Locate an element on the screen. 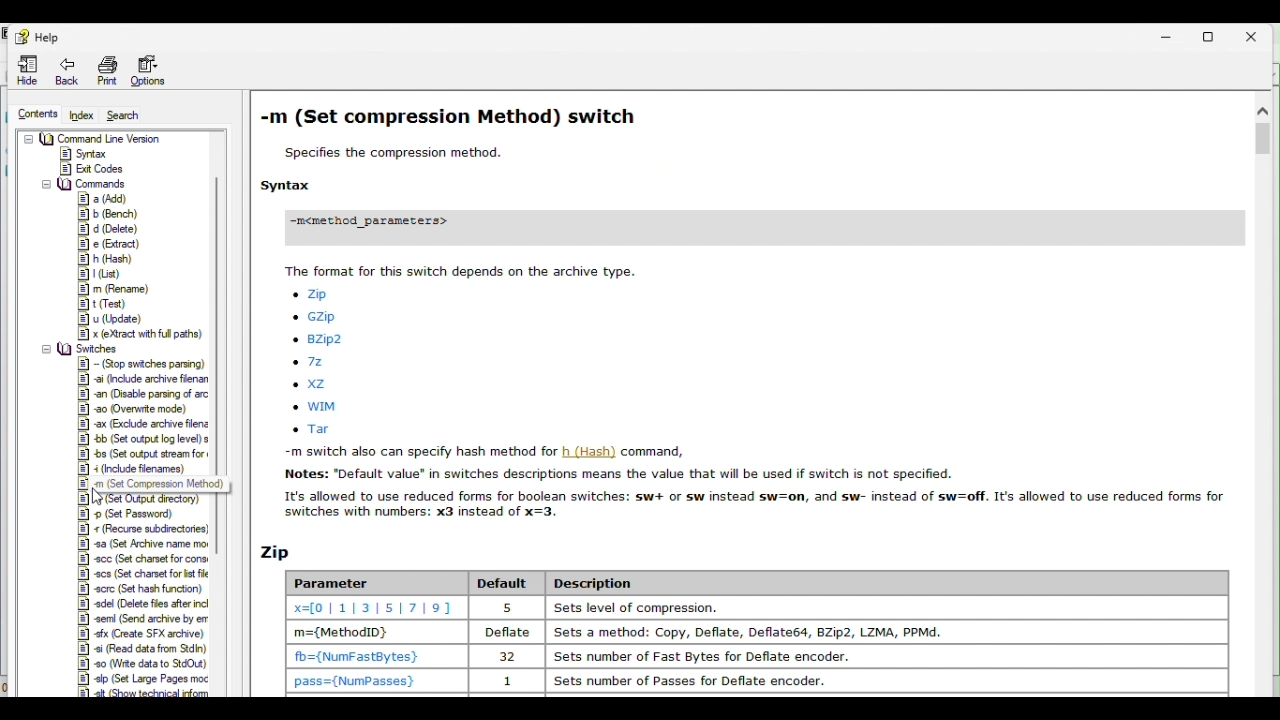  bb is located at coordinates (141, 438).